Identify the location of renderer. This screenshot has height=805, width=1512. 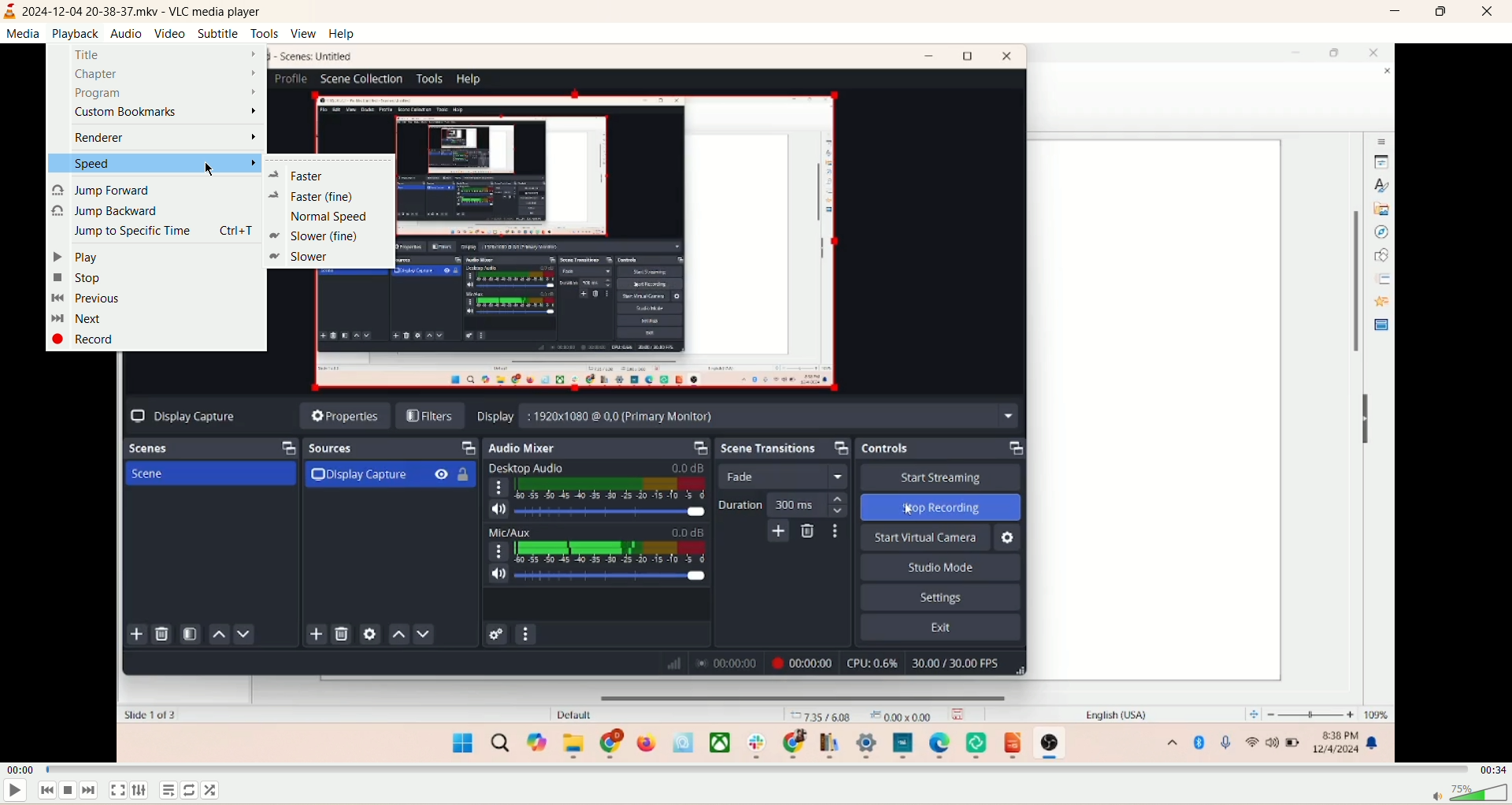
(167, 138).